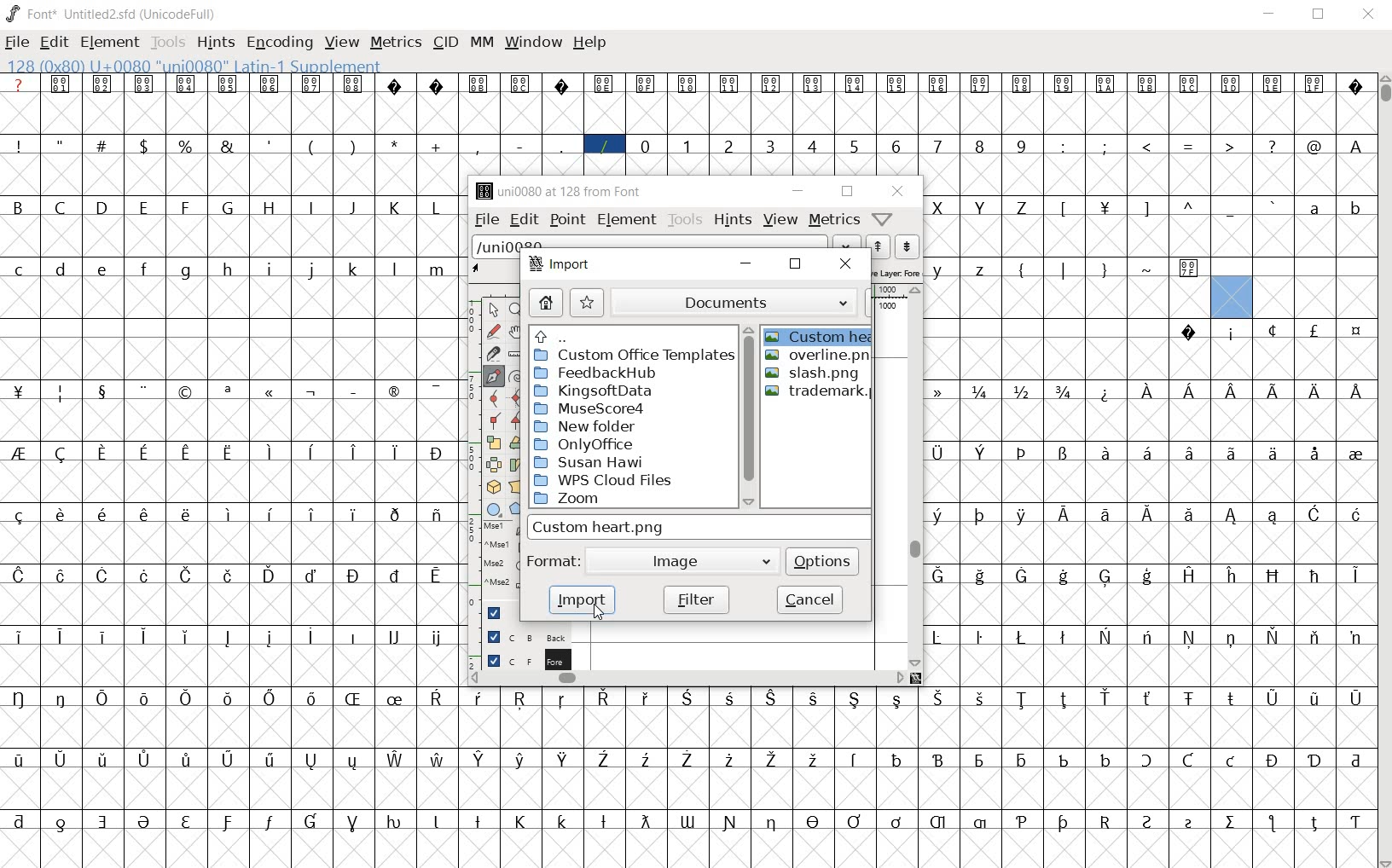  I want to click on glyph, so click(1064, 209).